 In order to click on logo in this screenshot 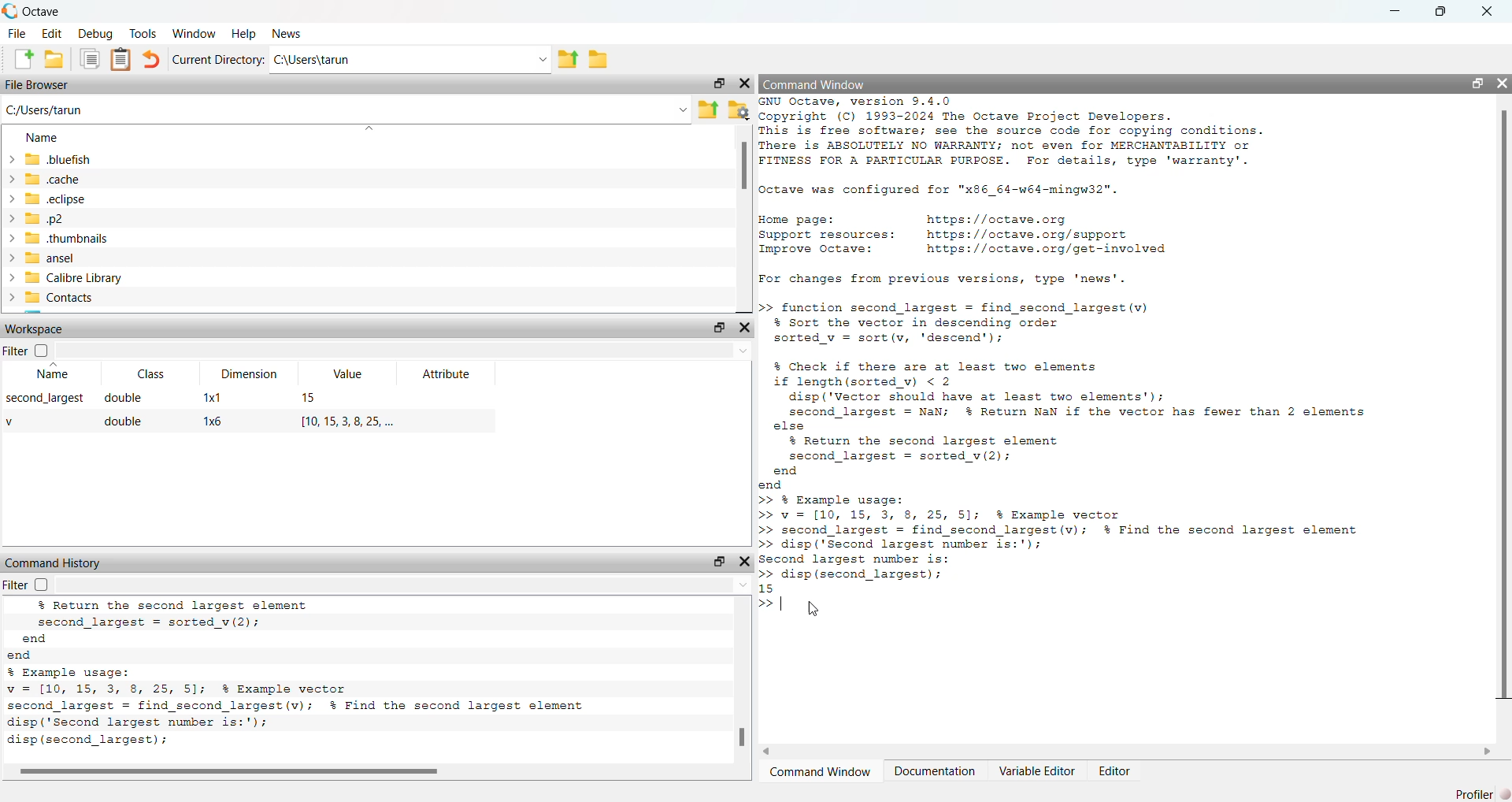, I will do `click(9, 10)`.